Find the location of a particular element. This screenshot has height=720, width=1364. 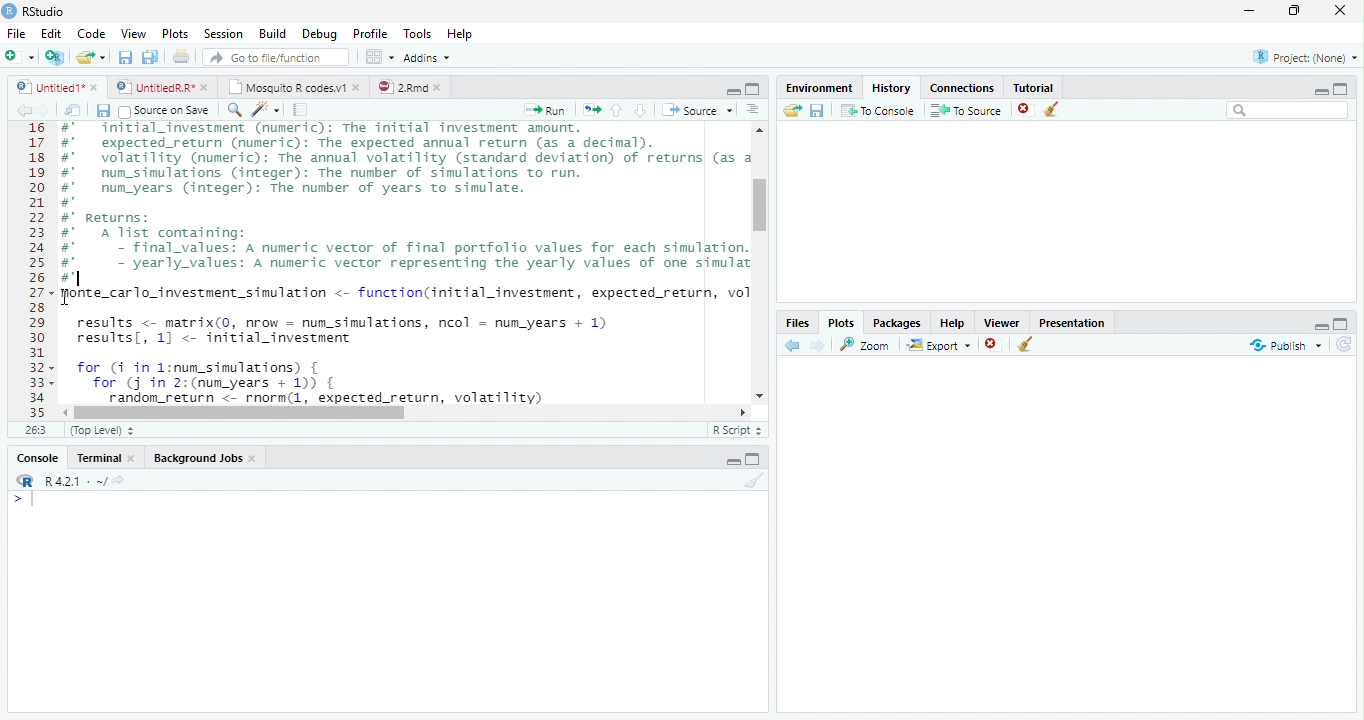

Full Height is located at coordinates (754, 88).